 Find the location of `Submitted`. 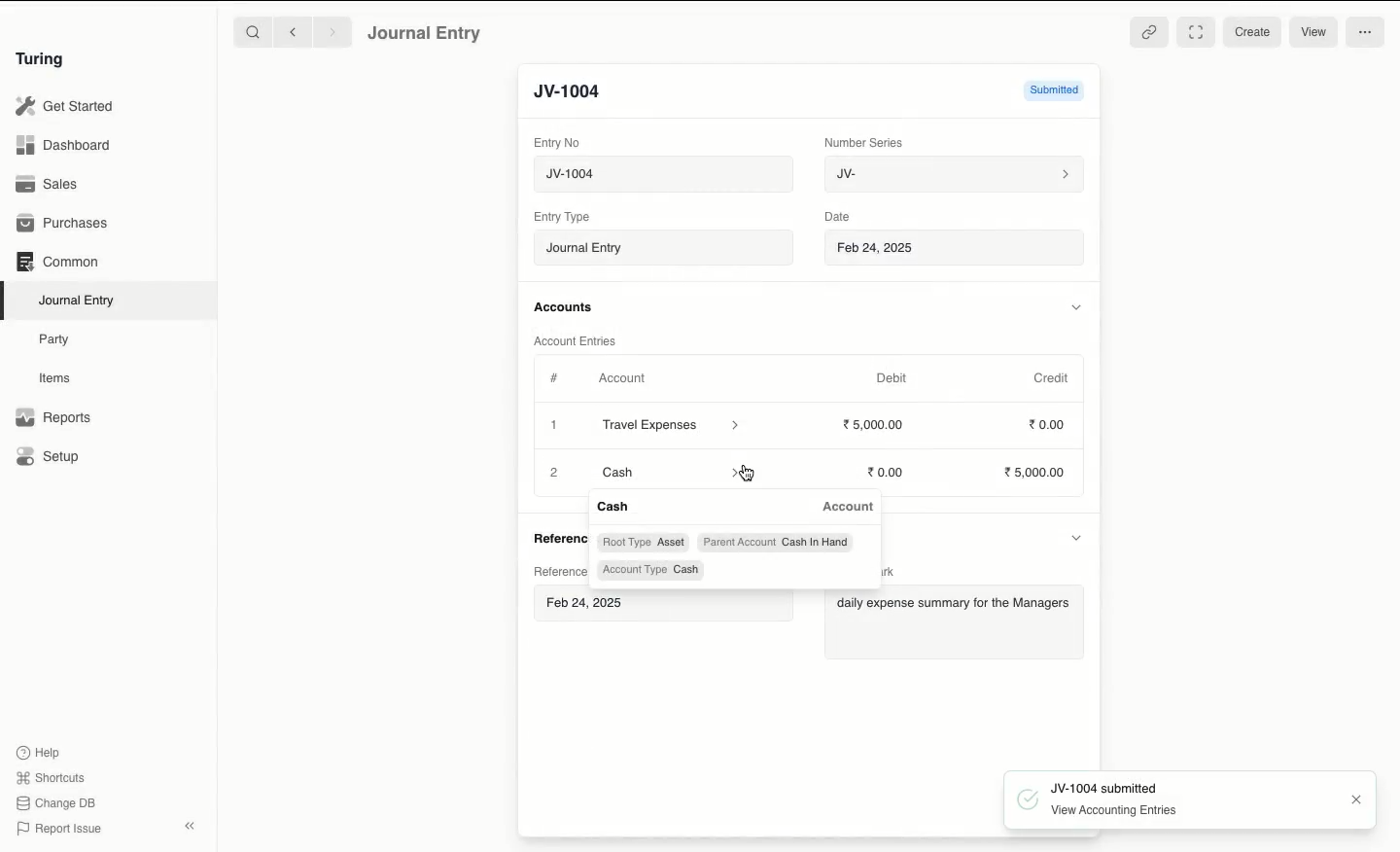

Submitted is located at coordinates (1052, 89).